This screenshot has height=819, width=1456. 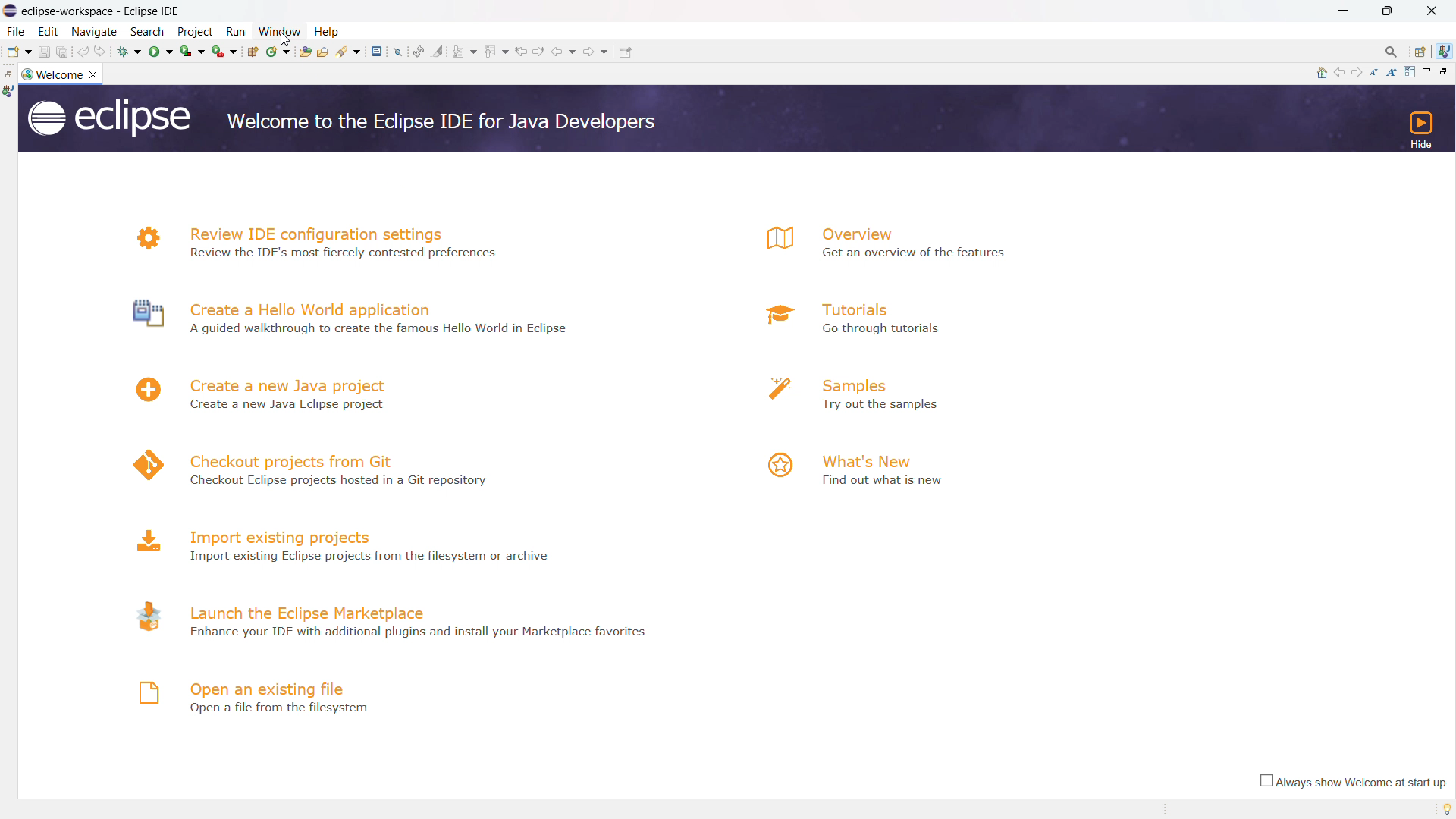 What do you see at coordinates (1339, 73) in the screenshot?
I see `navigate to previous topic` at bounding box center [1339, 73].